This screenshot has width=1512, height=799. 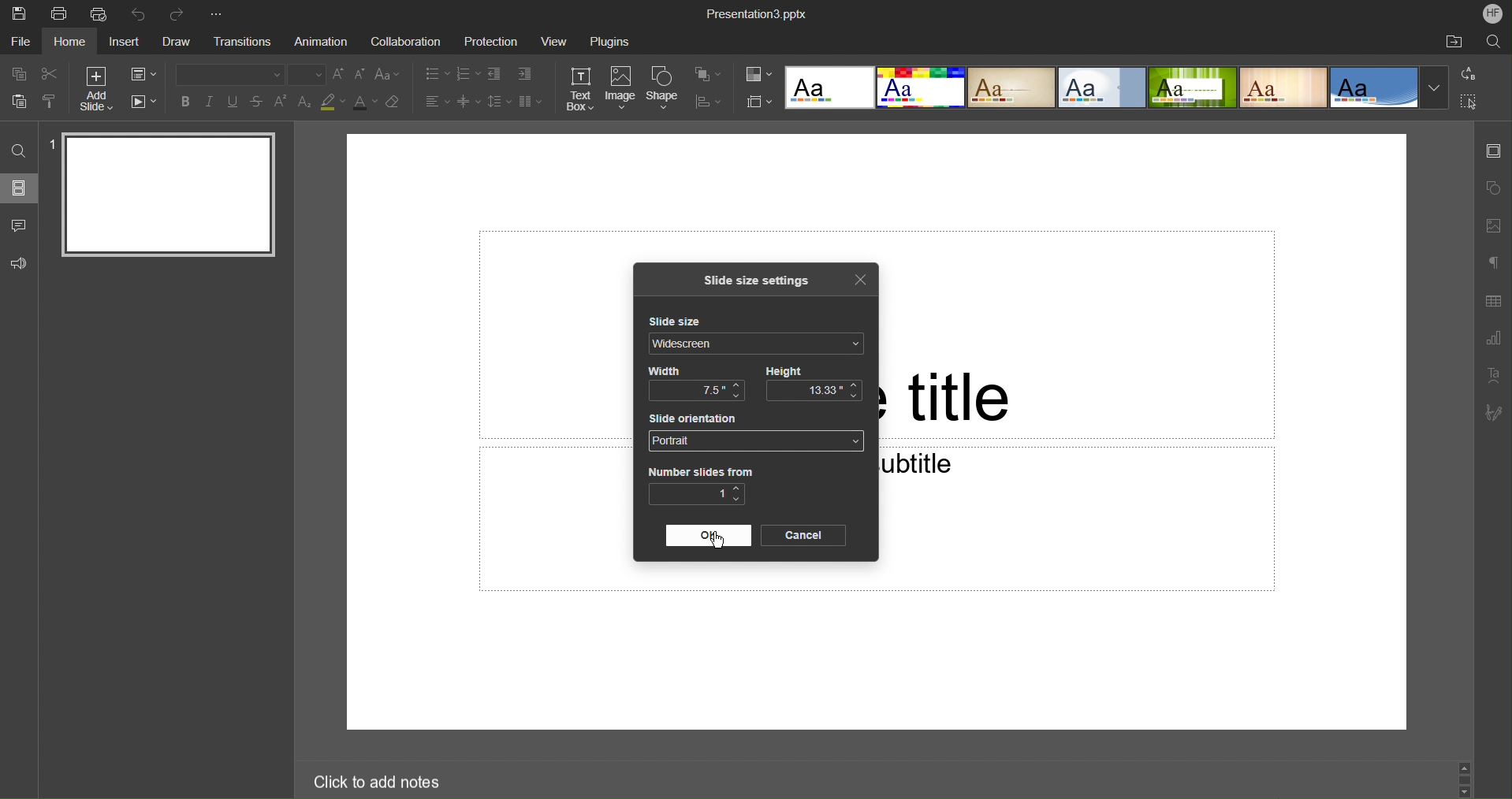 I want to click on Column, so click(x=530, y=102).